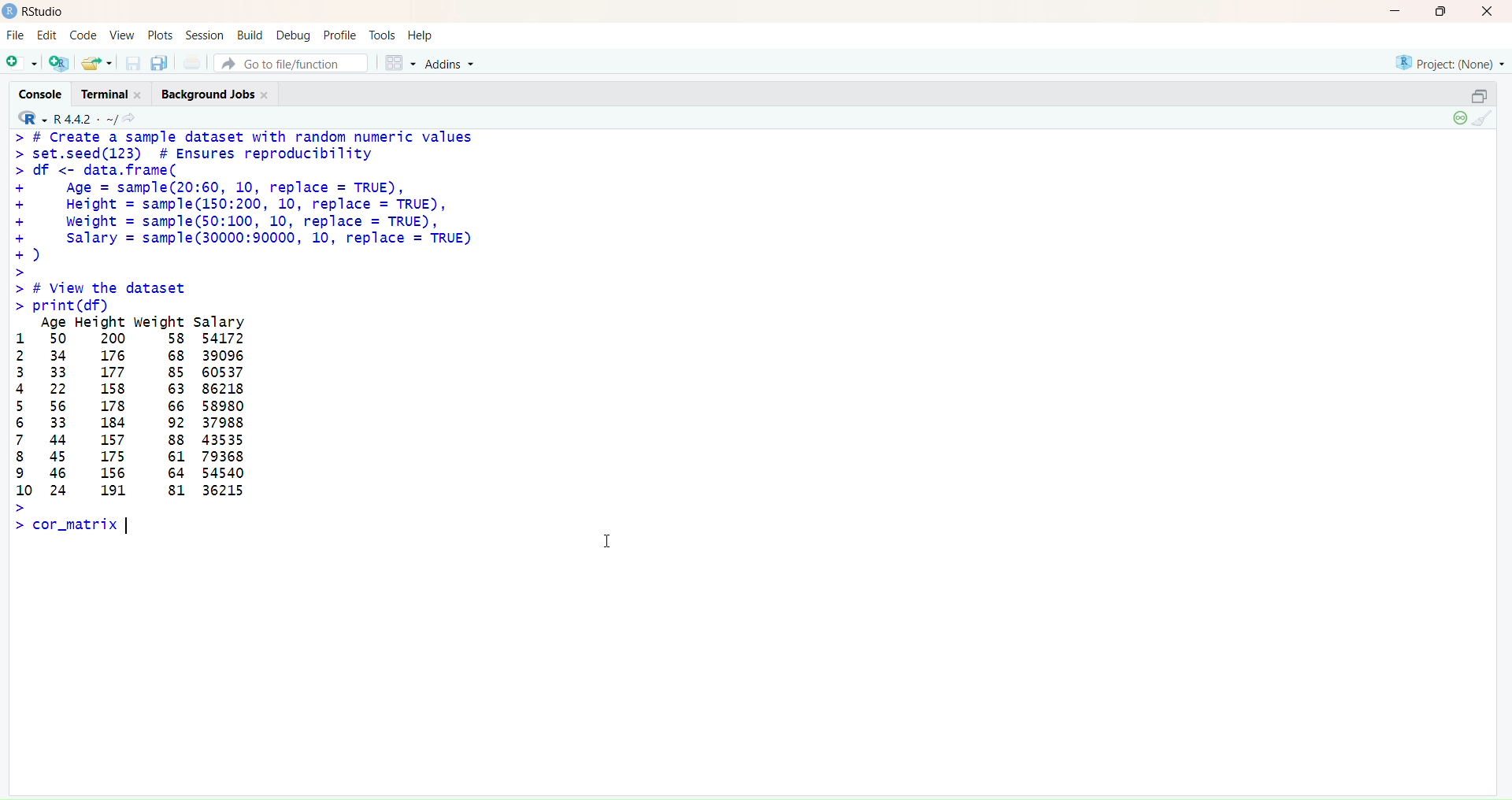  Describe the element at coordinates (28, 117) in the screenshot. I see `RStudio logo` at that location.